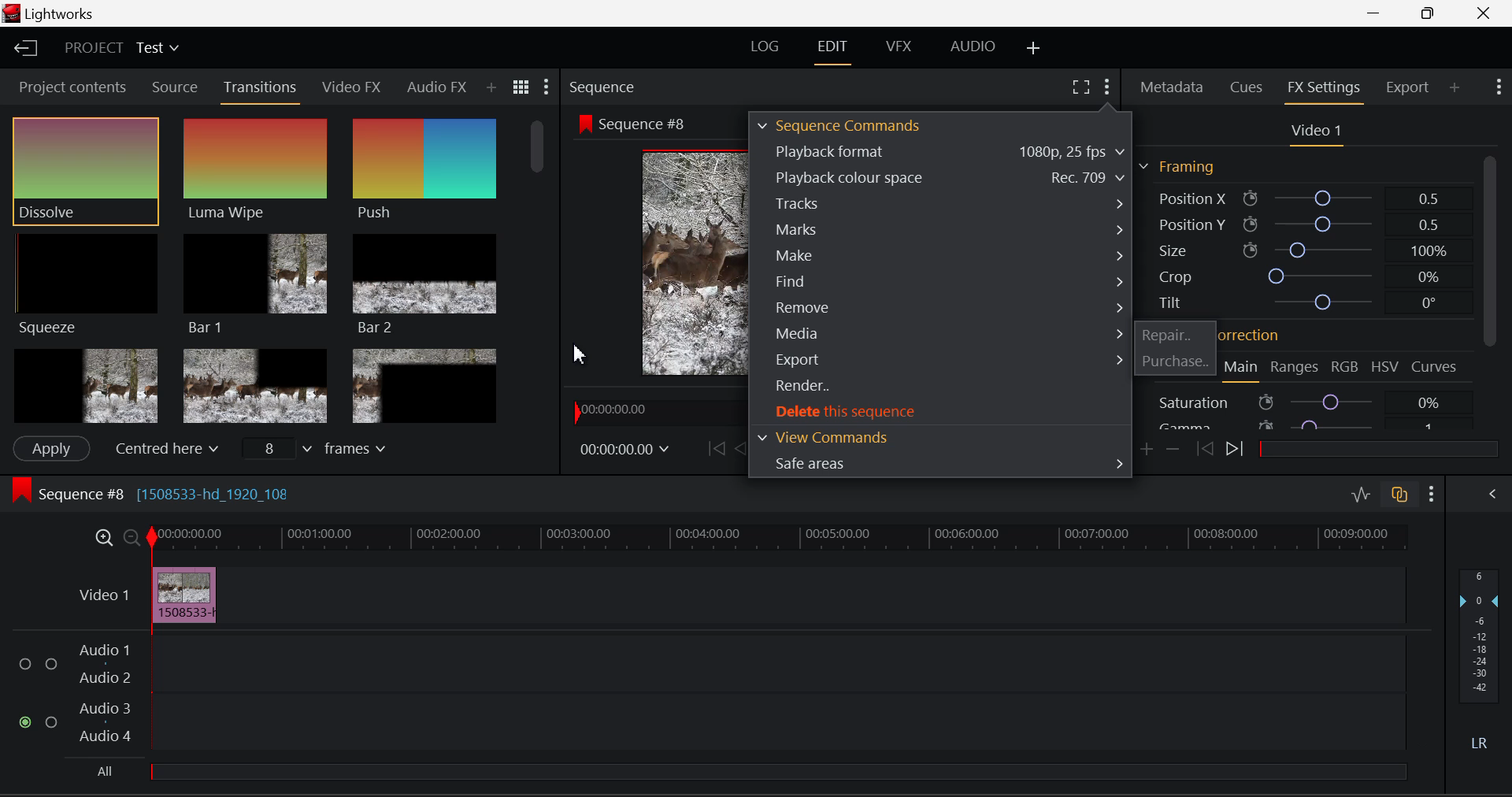 This screenshot has width=1512, height=797. What do you see at coordinates (973, 47) in the screenshot?
I see `AUDIO Layout` at bounding box center [973, 47].